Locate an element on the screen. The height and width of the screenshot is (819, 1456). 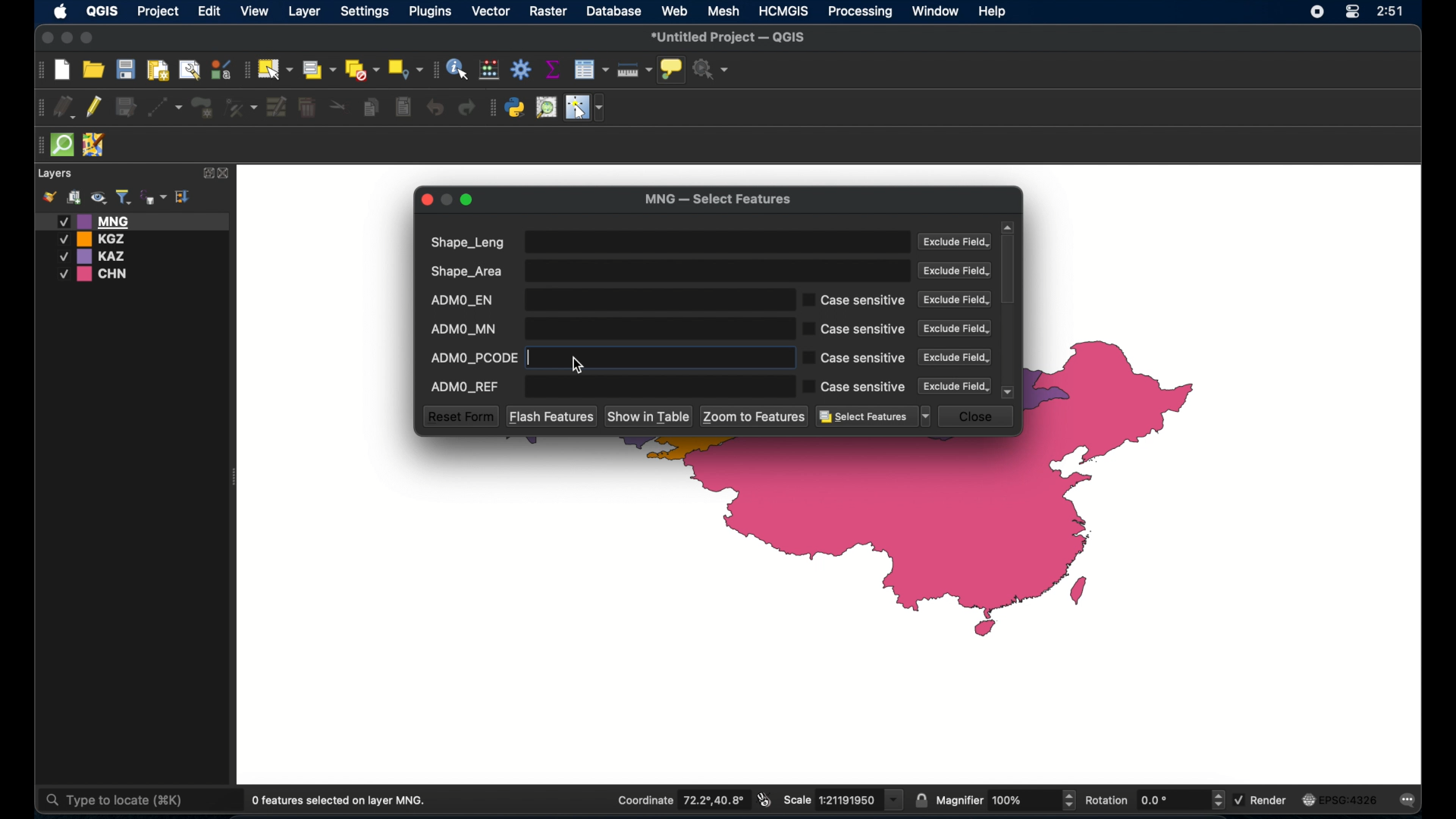
digitize with segment is located at coordinates (165, 106).